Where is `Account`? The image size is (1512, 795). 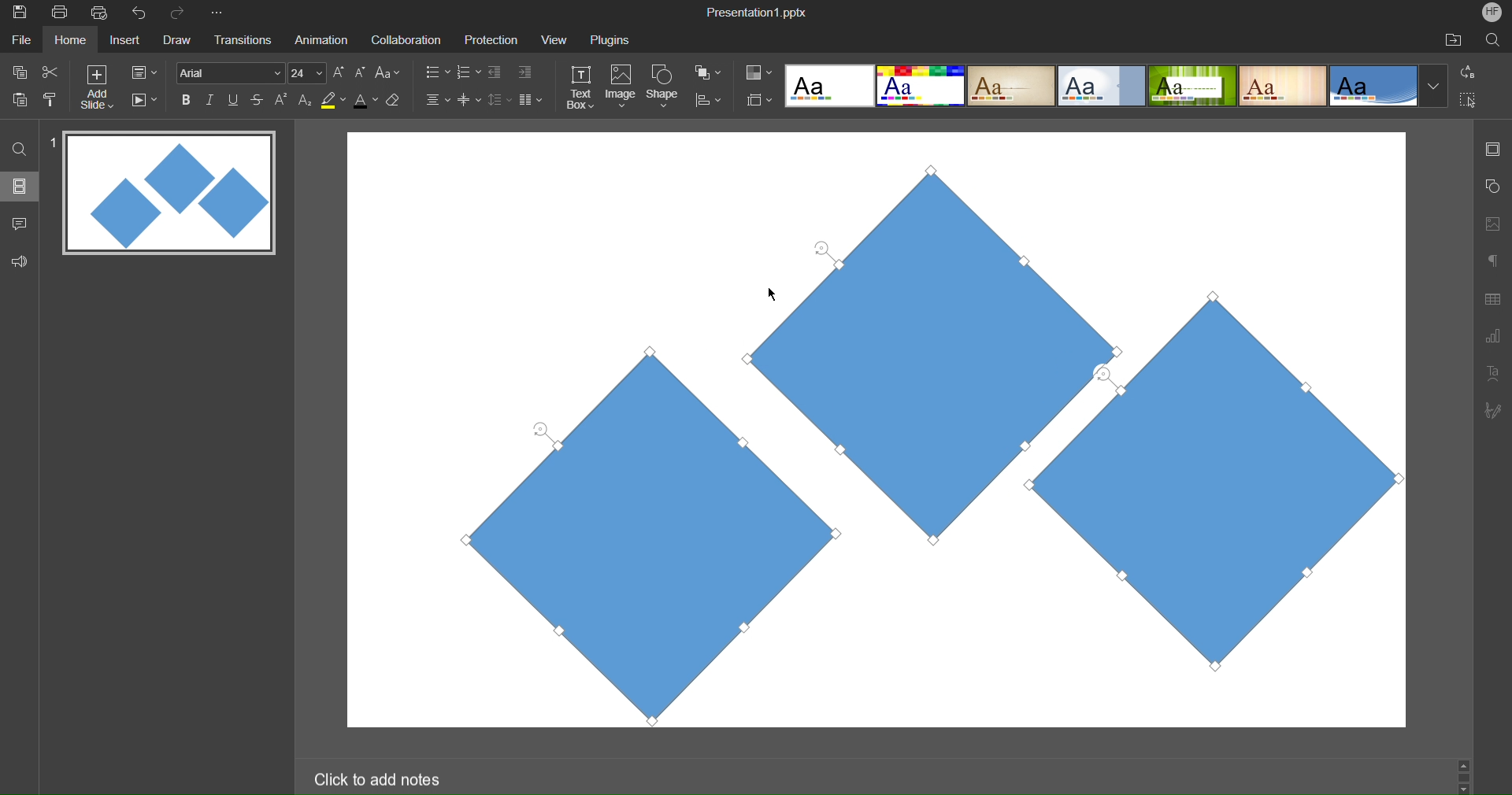
Account is located at coordinates (1492, 12).